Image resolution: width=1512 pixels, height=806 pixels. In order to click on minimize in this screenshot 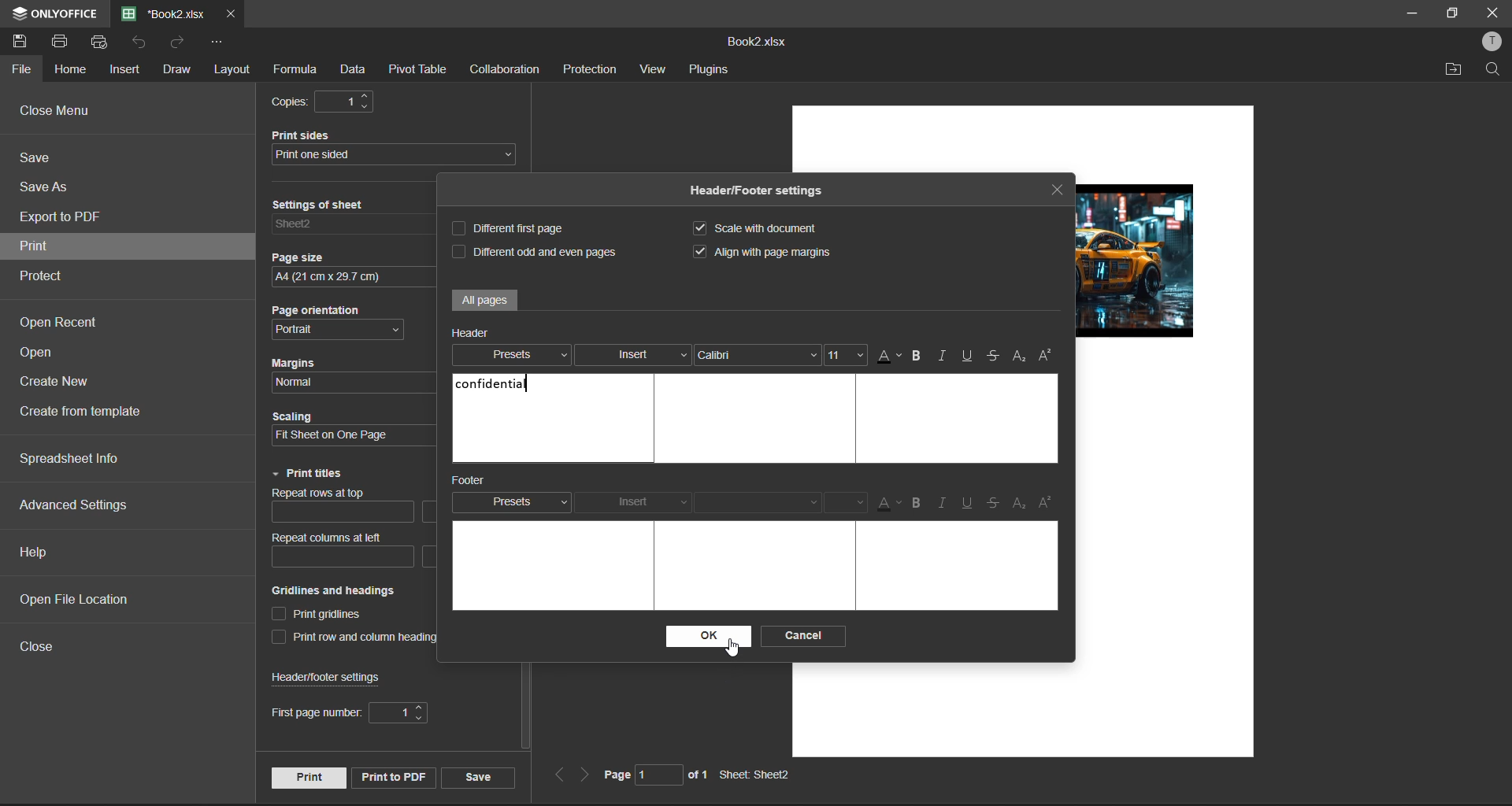, I will do `click(1409, 12)`.